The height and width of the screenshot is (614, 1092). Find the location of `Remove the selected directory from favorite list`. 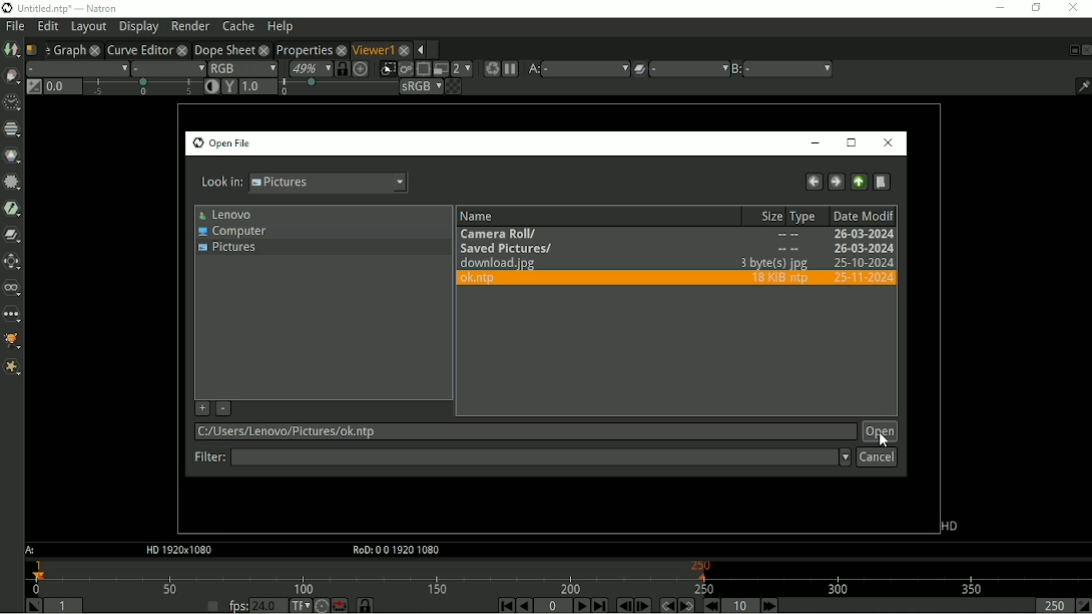

Remove the selected directory from favorite list is located at coordinates (224, 408).